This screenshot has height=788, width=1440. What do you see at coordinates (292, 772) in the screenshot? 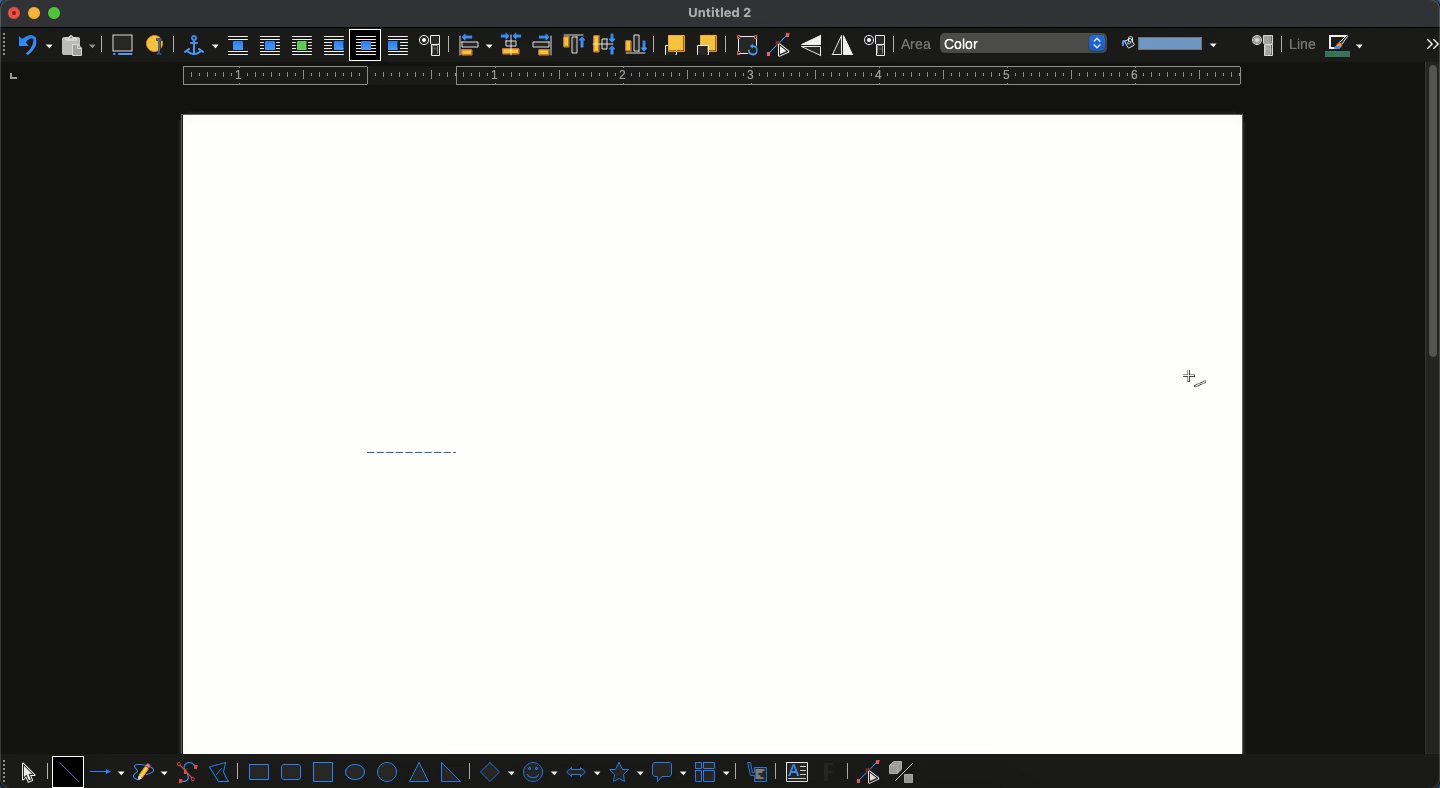
I see `rounded rectangle` at bounding box center [292, 772].